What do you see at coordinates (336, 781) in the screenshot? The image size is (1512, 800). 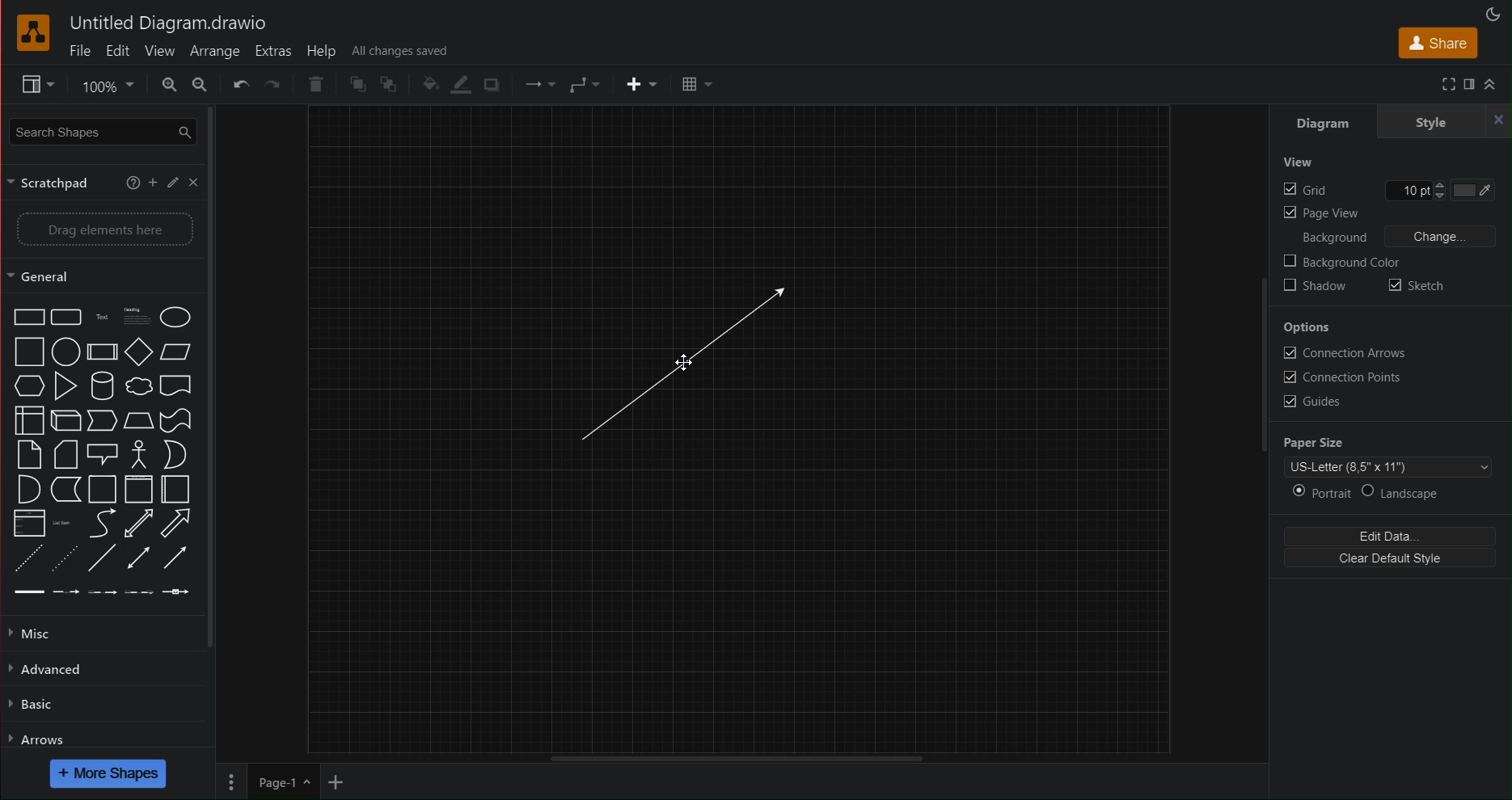 I see `Add new page` at bounding box center [336, 781].